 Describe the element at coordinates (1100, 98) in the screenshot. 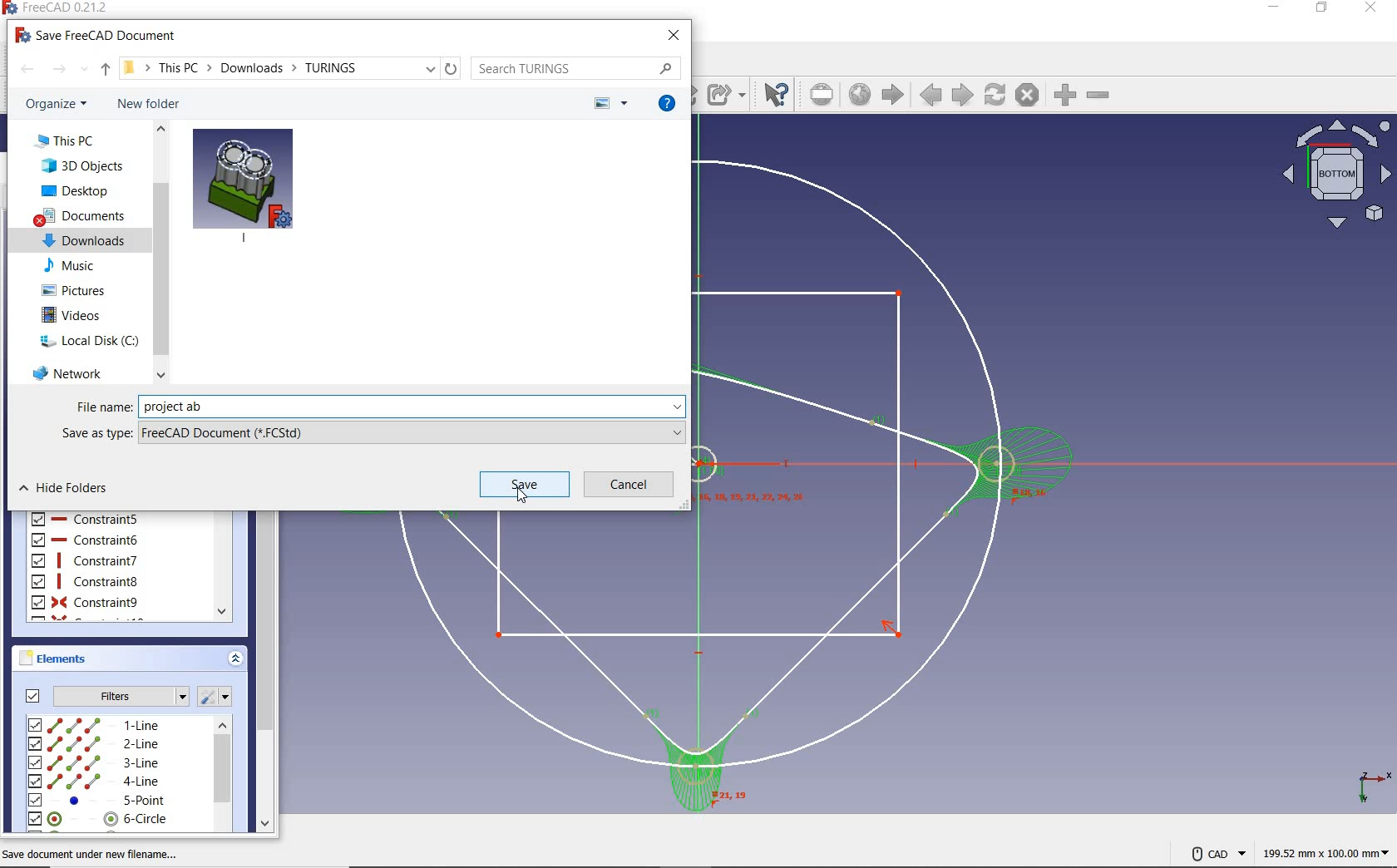

I see `zoomout` at that location.